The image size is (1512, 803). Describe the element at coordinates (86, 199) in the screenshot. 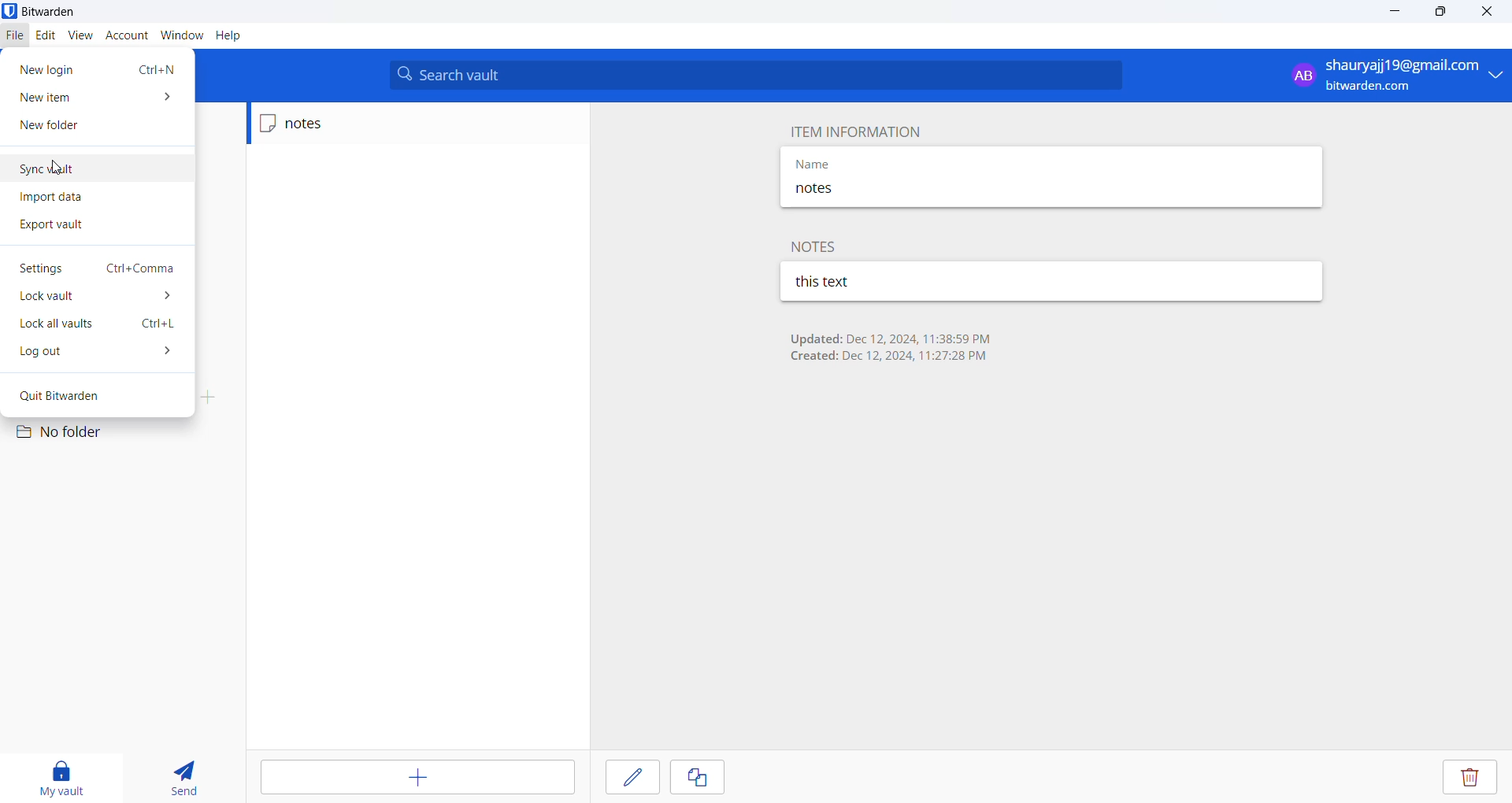

I see `import data` at that location.